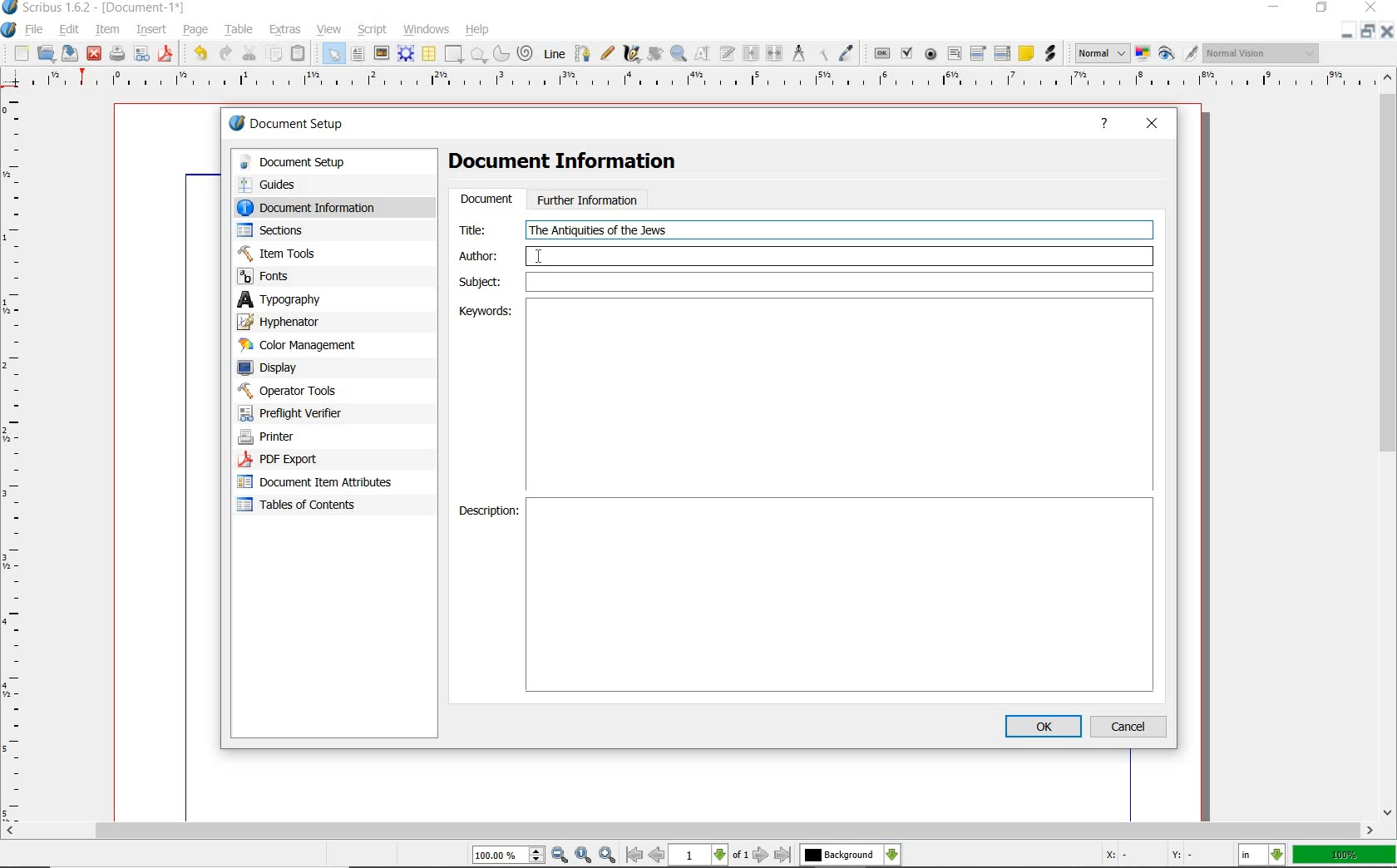 Image resolution: width=1397 pixels, height=868 pixels. Describe the element at coordinates (301, 345) in the screenshot. I see `color management` at that location.